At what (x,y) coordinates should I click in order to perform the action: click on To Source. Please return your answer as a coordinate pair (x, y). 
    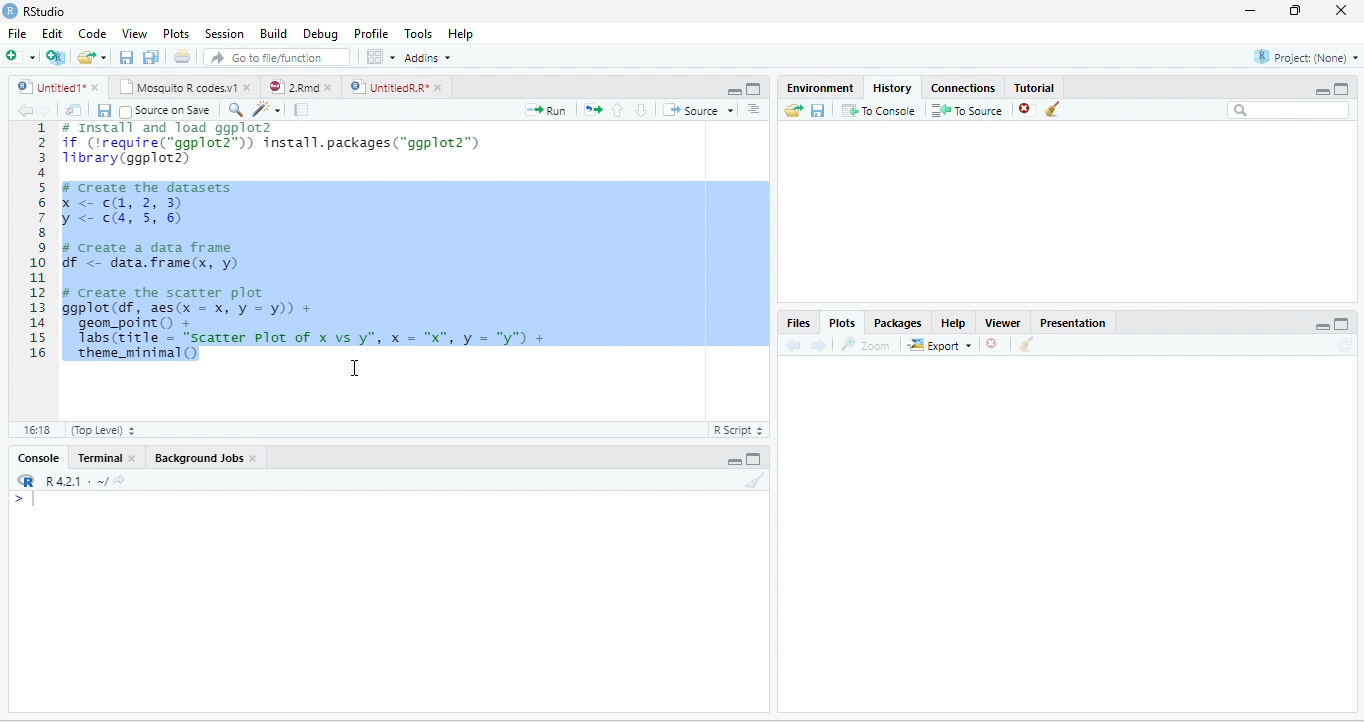
    Looking at the image, I should click on (968, 111).